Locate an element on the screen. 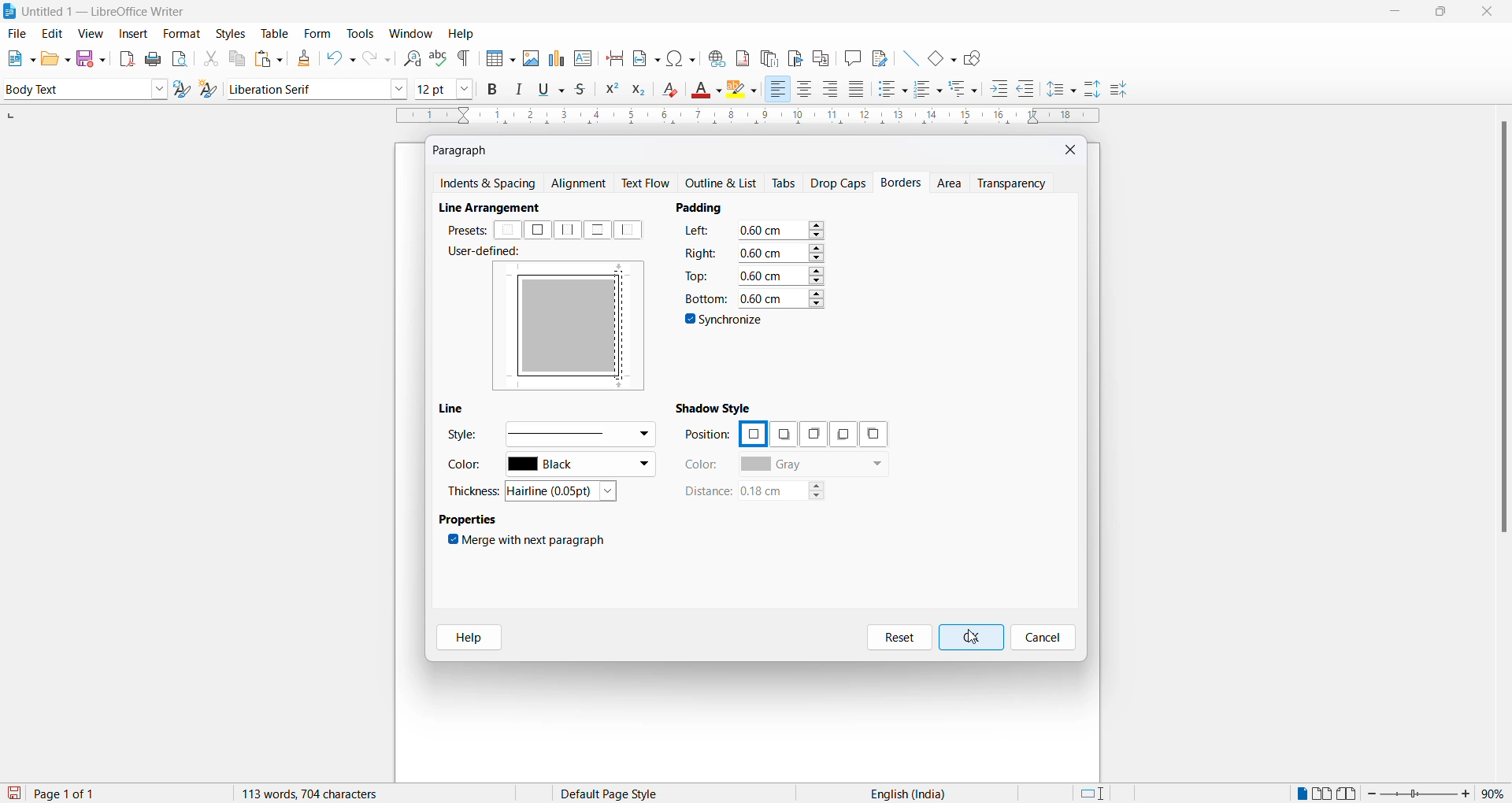  insert field is located at coordinates (645, 56).